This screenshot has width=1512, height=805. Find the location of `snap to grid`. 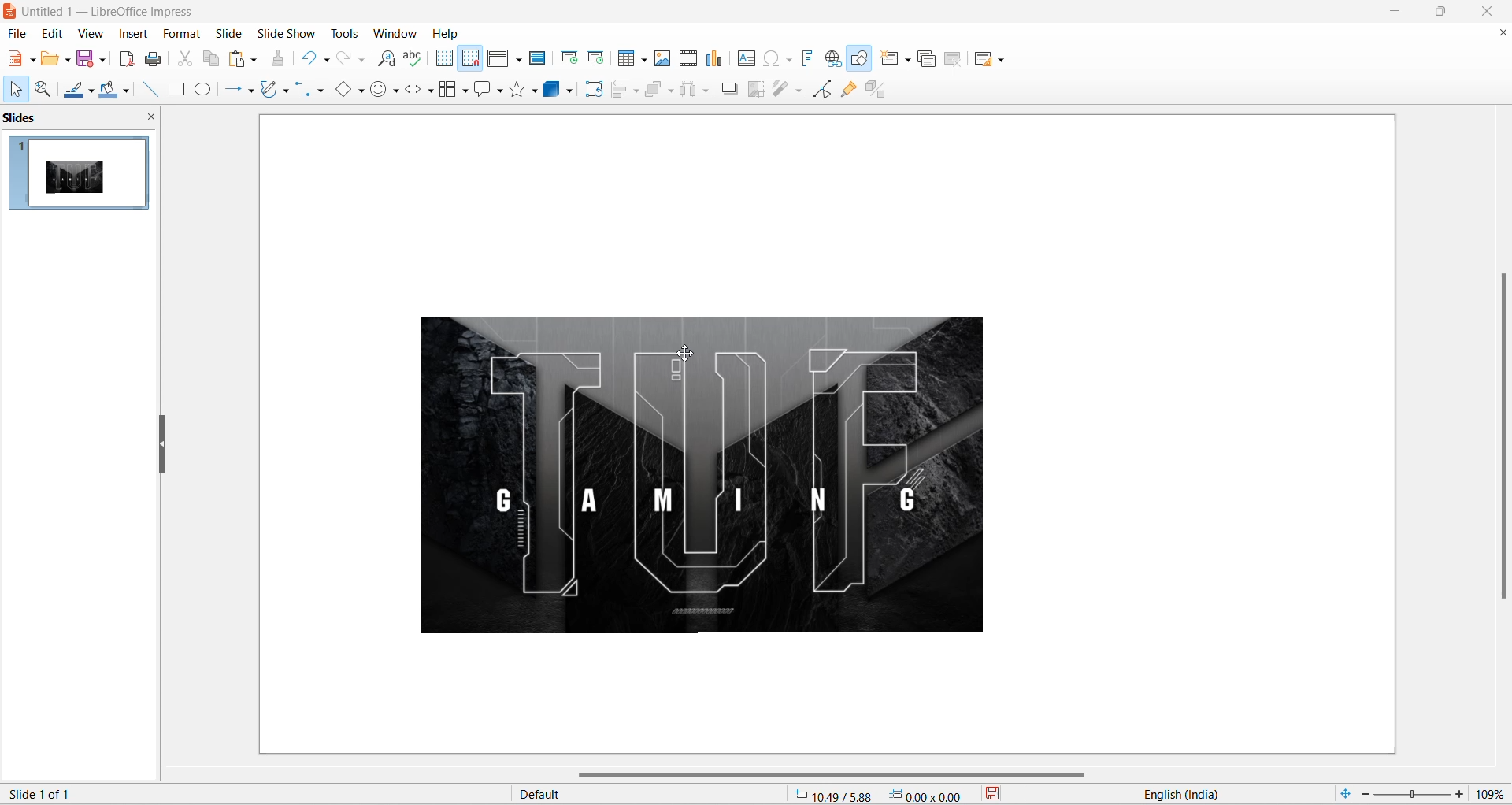

snap to grid is located at coordinates (470, 60).